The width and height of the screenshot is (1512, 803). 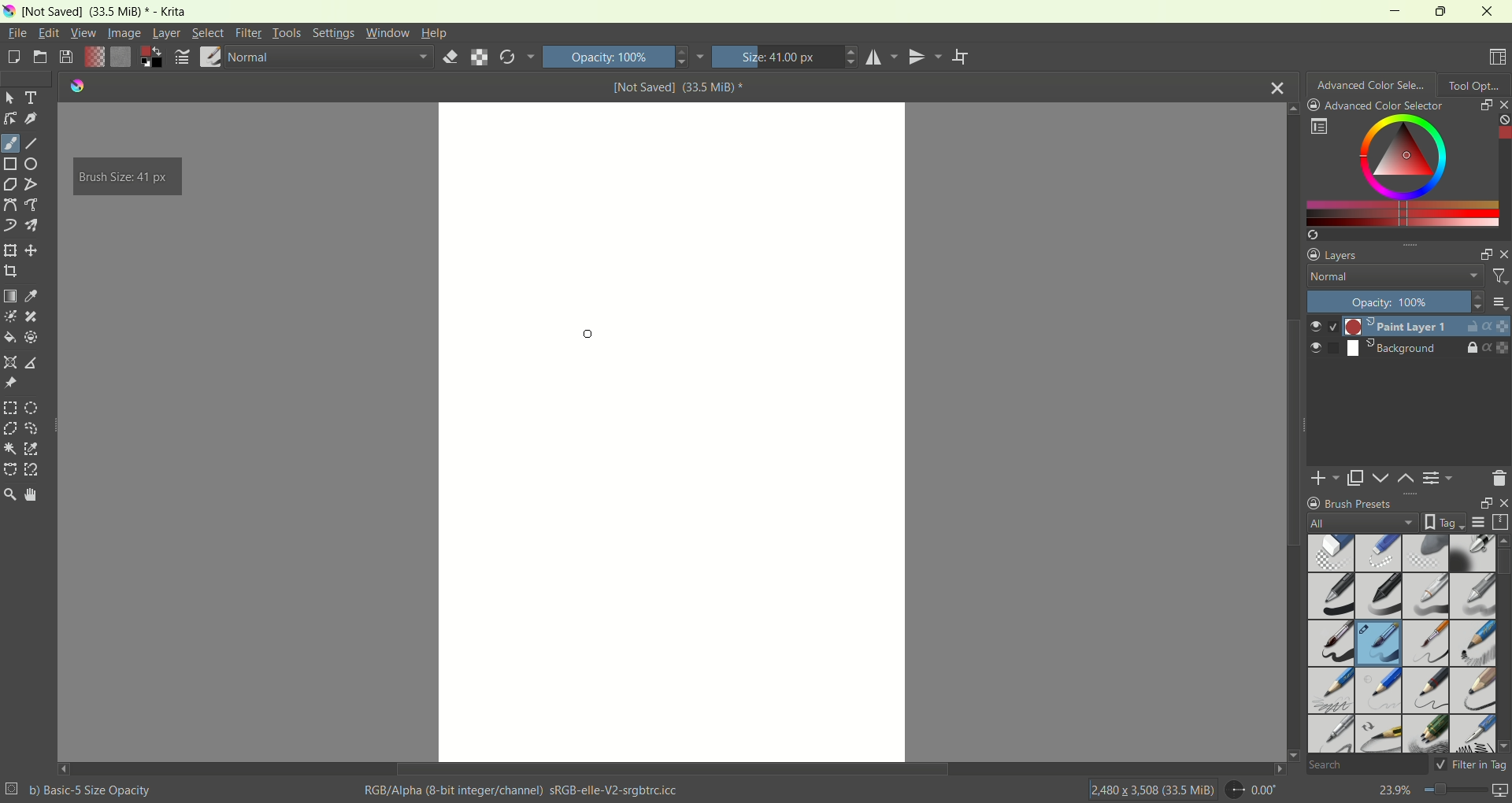 I want to click on close docker, so click(x=1503, y=253).